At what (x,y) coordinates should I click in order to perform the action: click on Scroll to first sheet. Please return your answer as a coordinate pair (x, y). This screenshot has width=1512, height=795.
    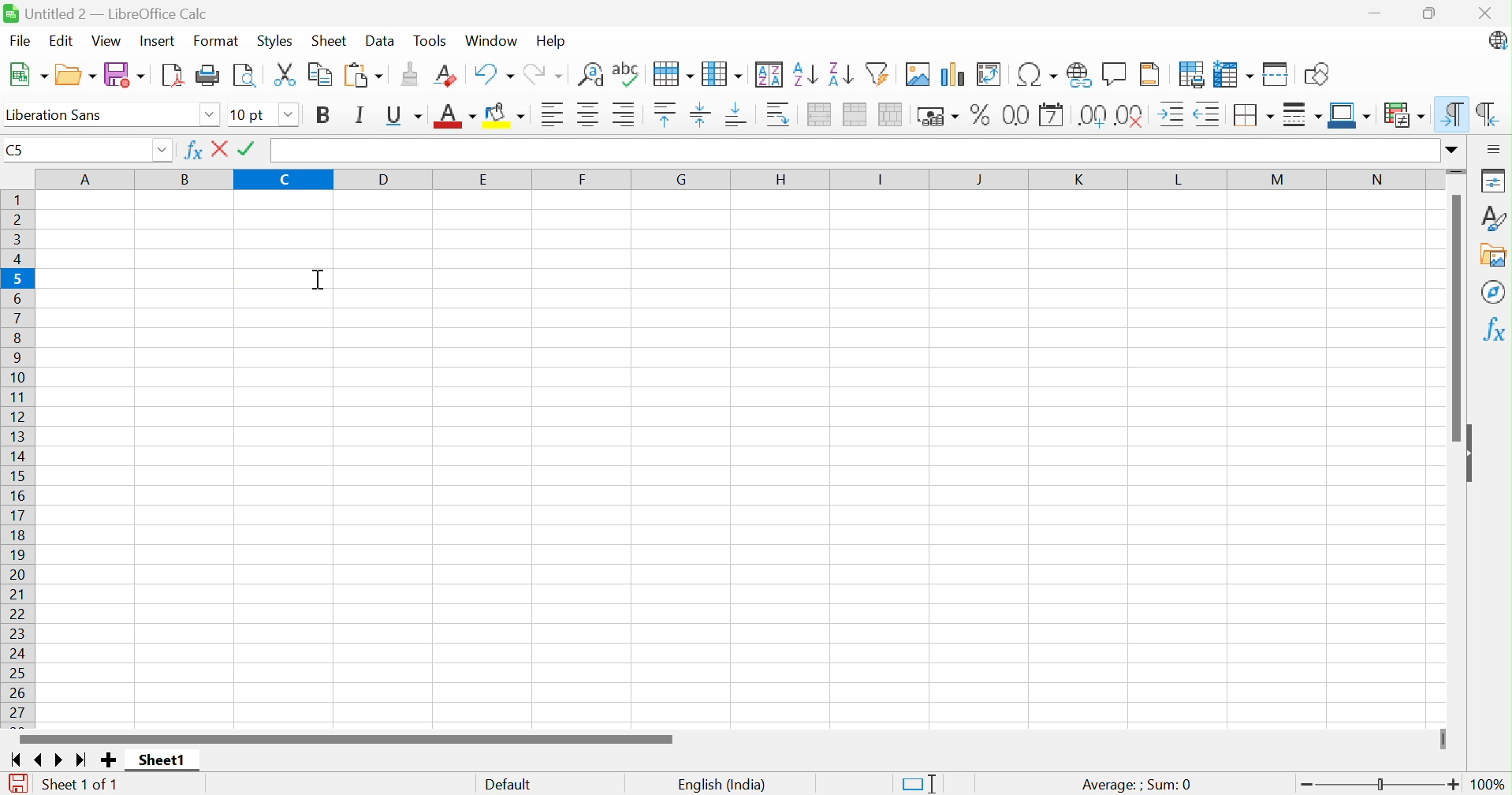
    Looking at the image, I should click on (17, 760).